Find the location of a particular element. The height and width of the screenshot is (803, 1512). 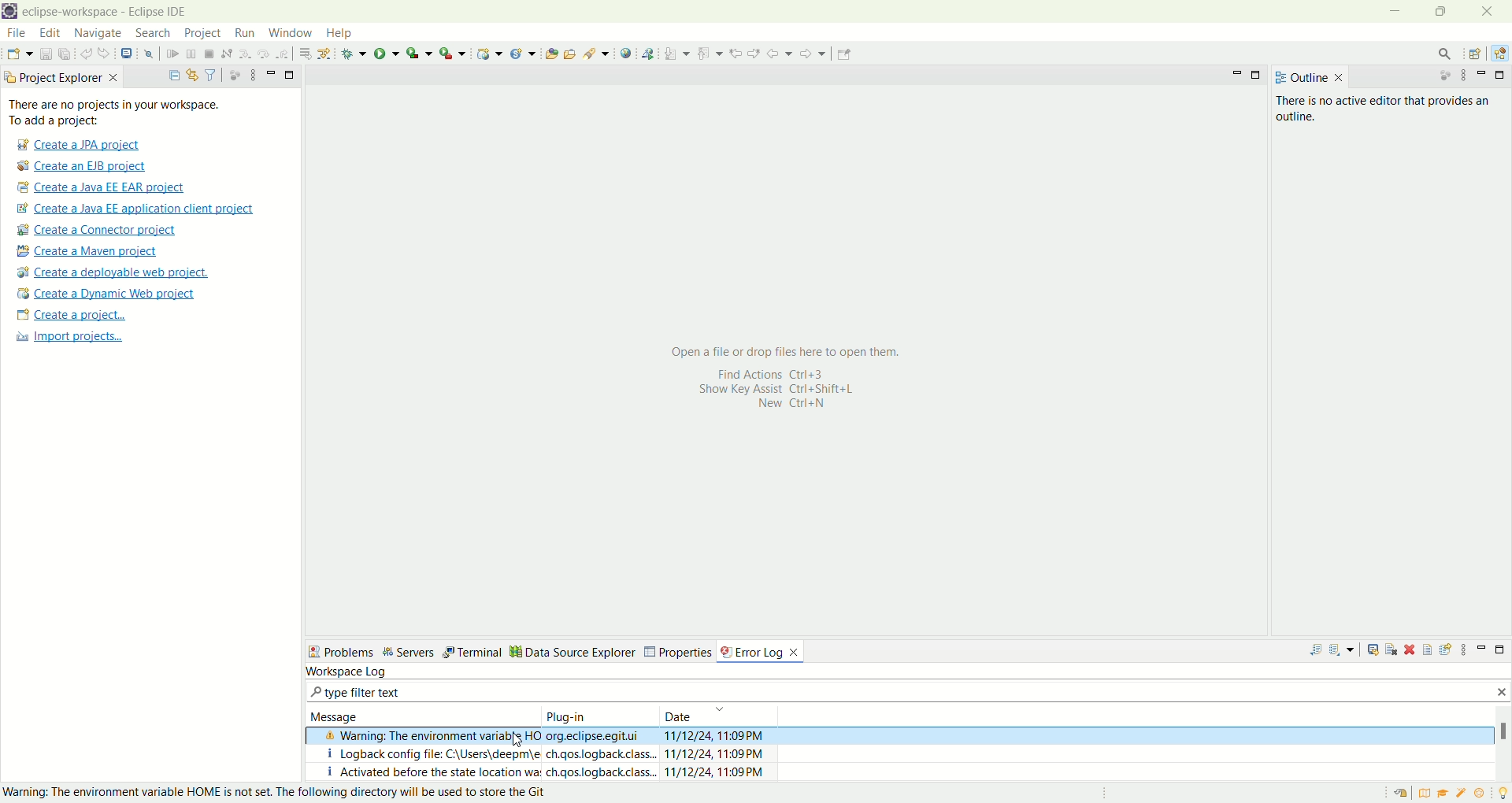

what's new is located at coordinates (1480, 794).